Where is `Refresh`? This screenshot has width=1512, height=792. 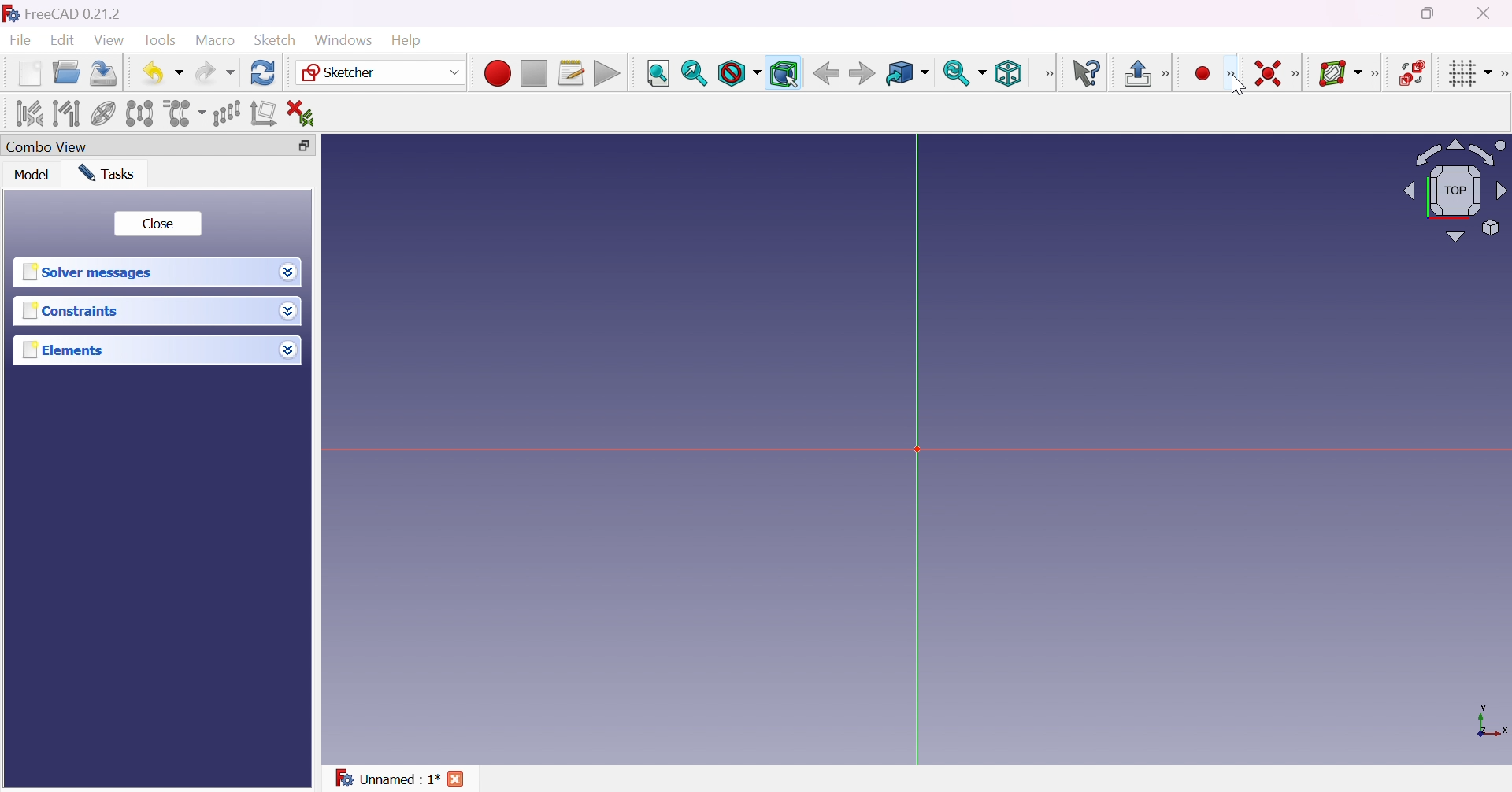 Refresh is located at coordinates (265, 73).